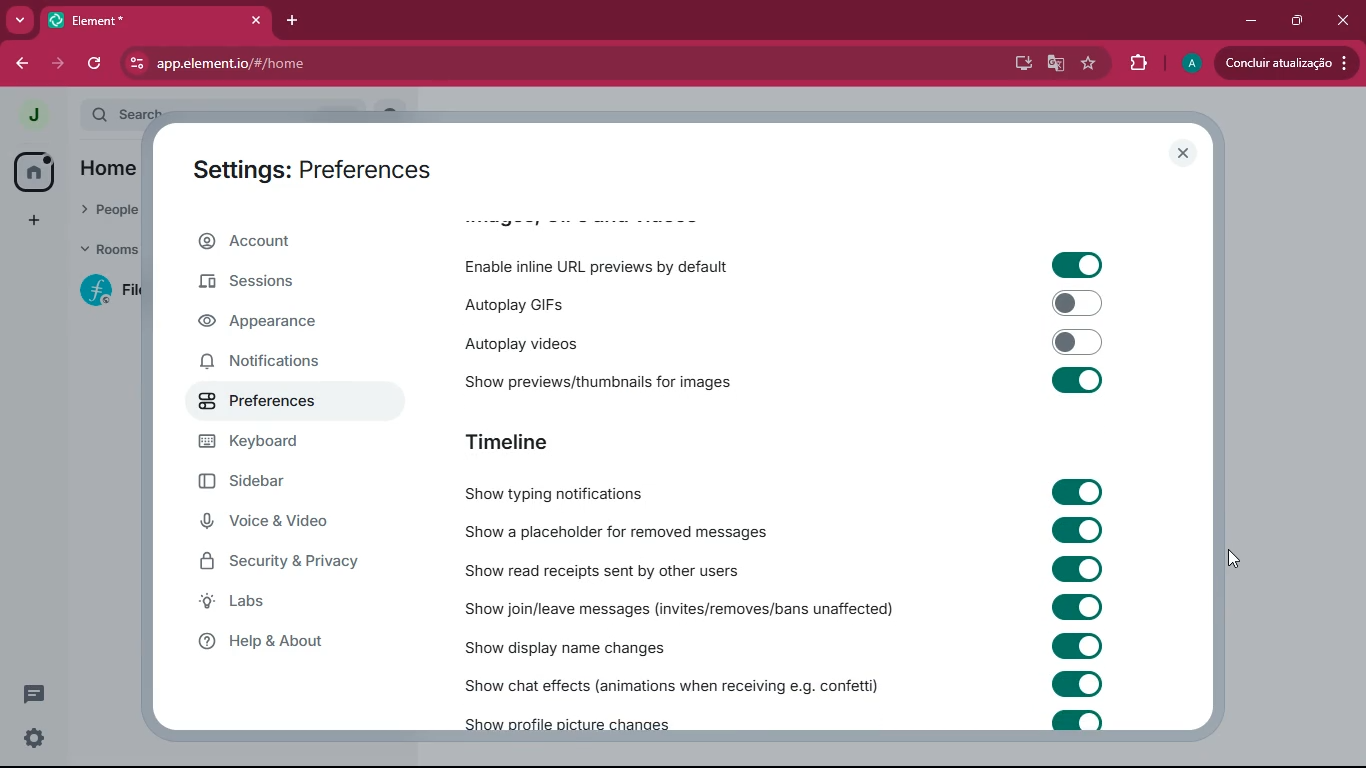 This screenshot has width=1366, height=768. What do you see at coordinates (586, 494) in the screenshot?
I see `show typing notifications` at bounding box center [586, 494].